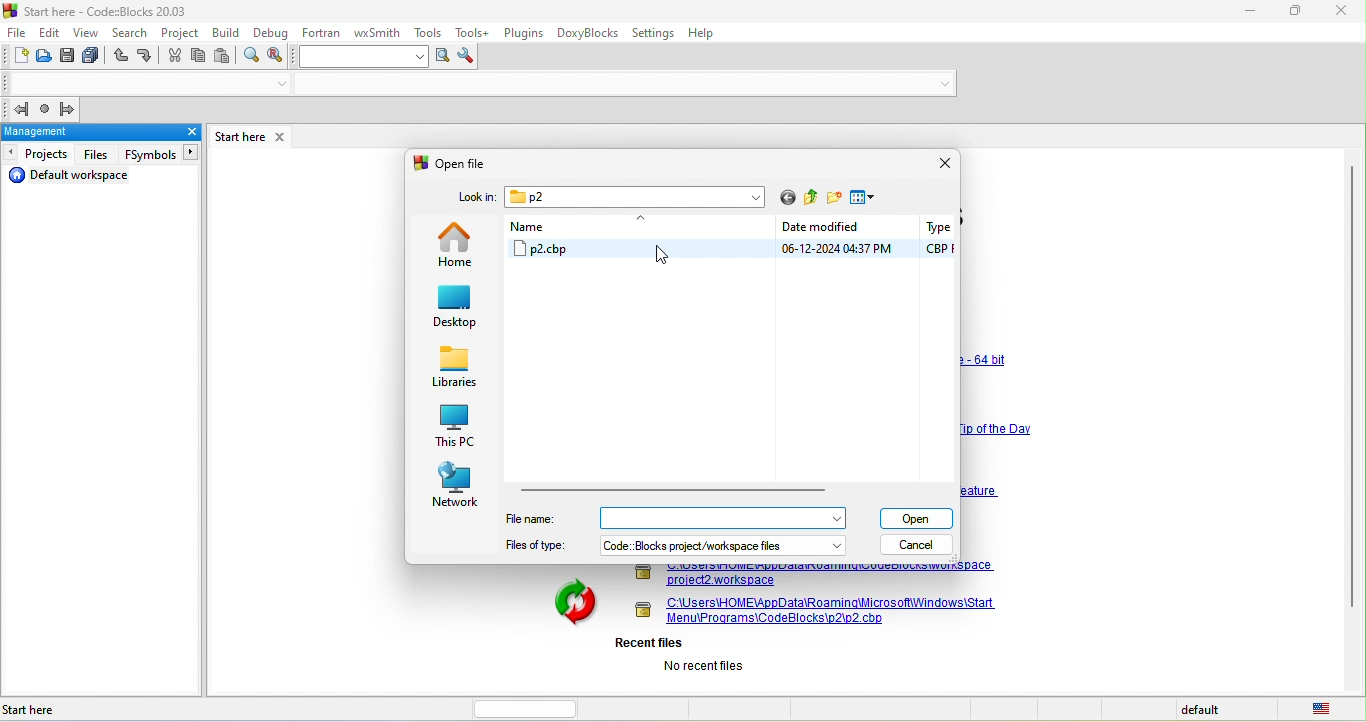 Image resolution: width=1366 pixels, height=722 pixels. I want to click on link, so click(999, 427).